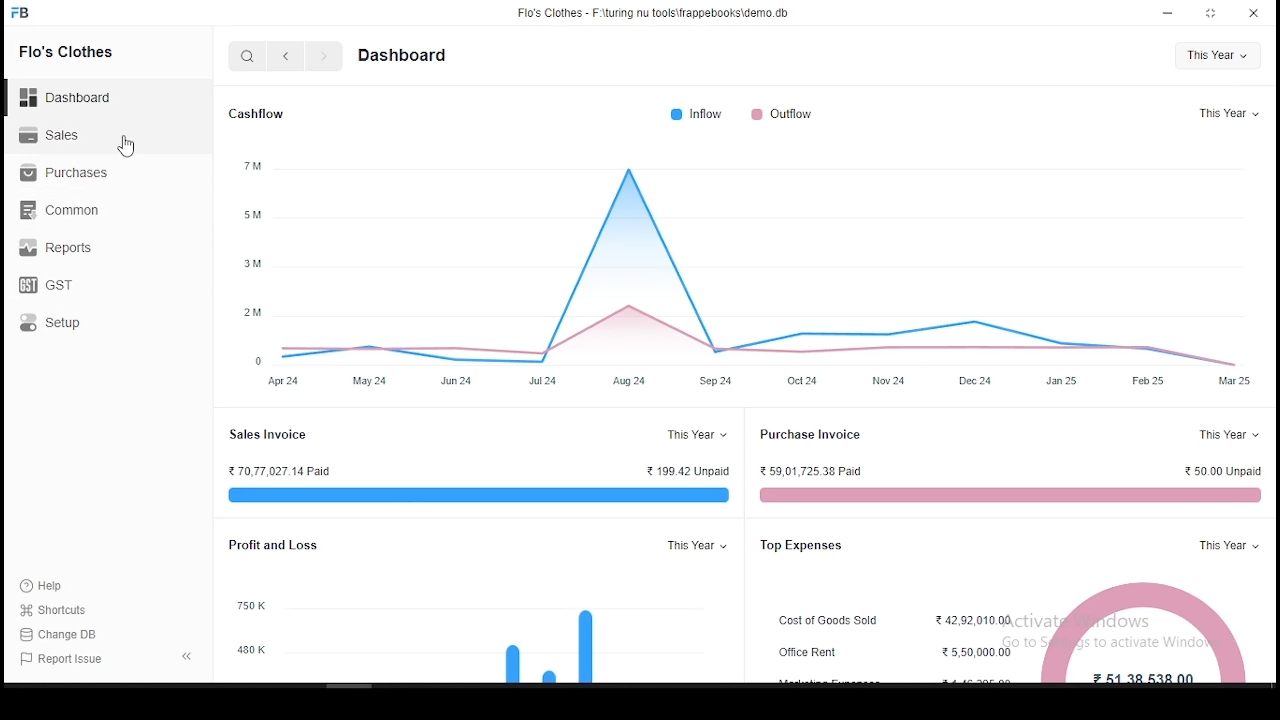 The image size is (1280, 720). Describe the element at coordinates (76, 325) in the screenshot. I see `setup` at that location.